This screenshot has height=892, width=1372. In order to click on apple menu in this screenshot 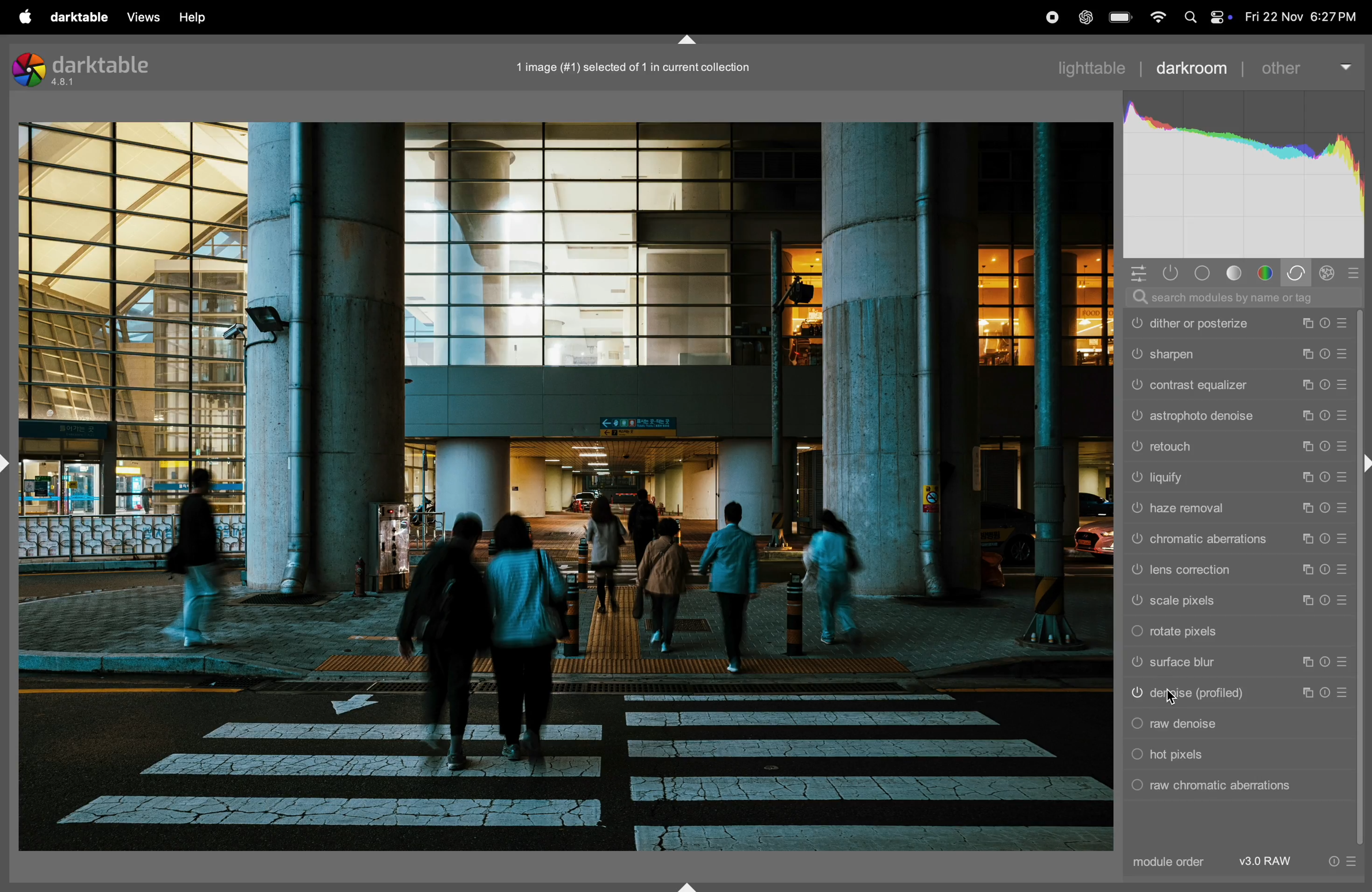, I will do `click(25, 17)`.